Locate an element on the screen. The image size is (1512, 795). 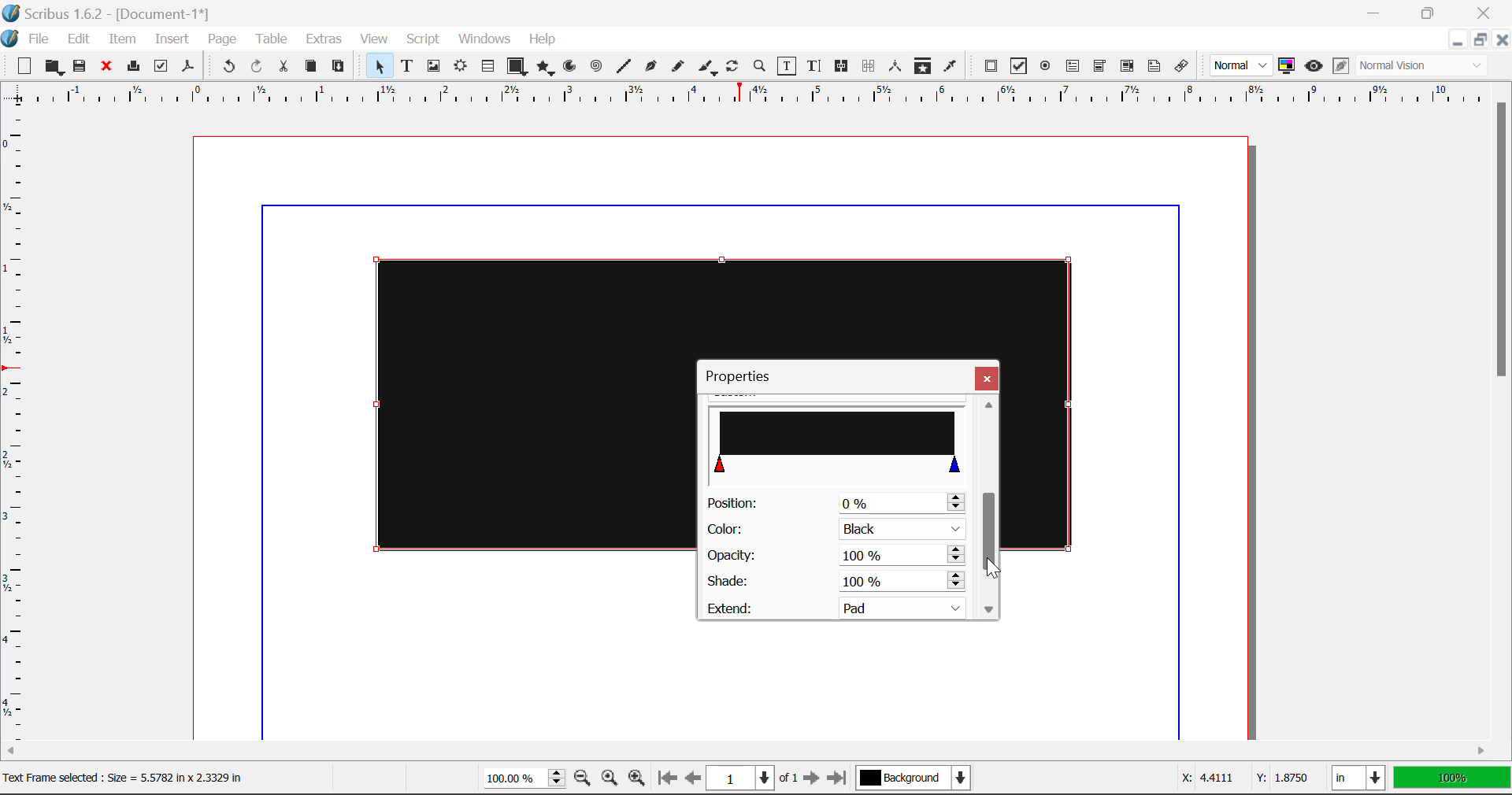
Copy is located at coordinates (312, 66).